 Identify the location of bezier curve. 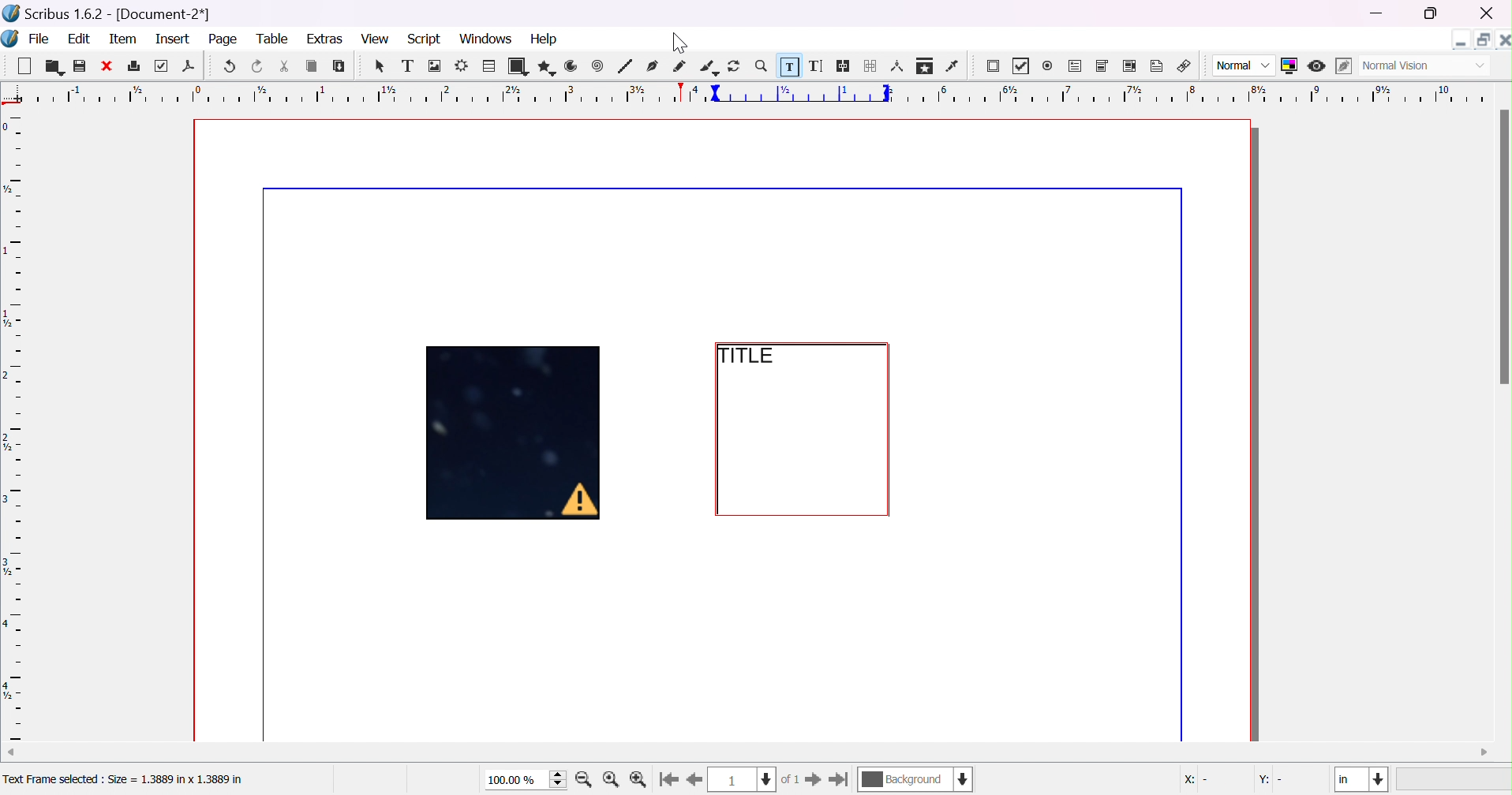
(653, 65).